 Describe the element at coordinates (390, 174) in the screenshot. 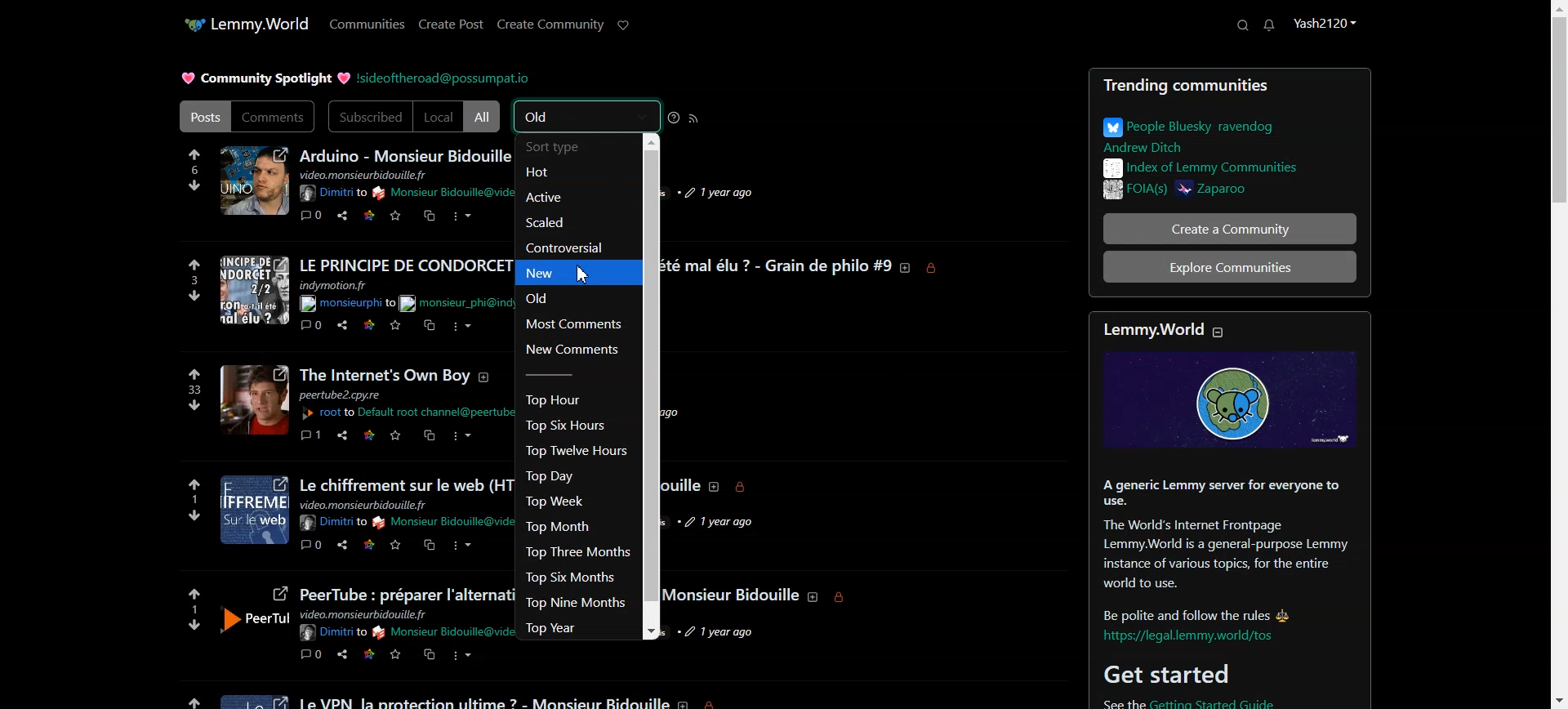

I see `Text` at that location.